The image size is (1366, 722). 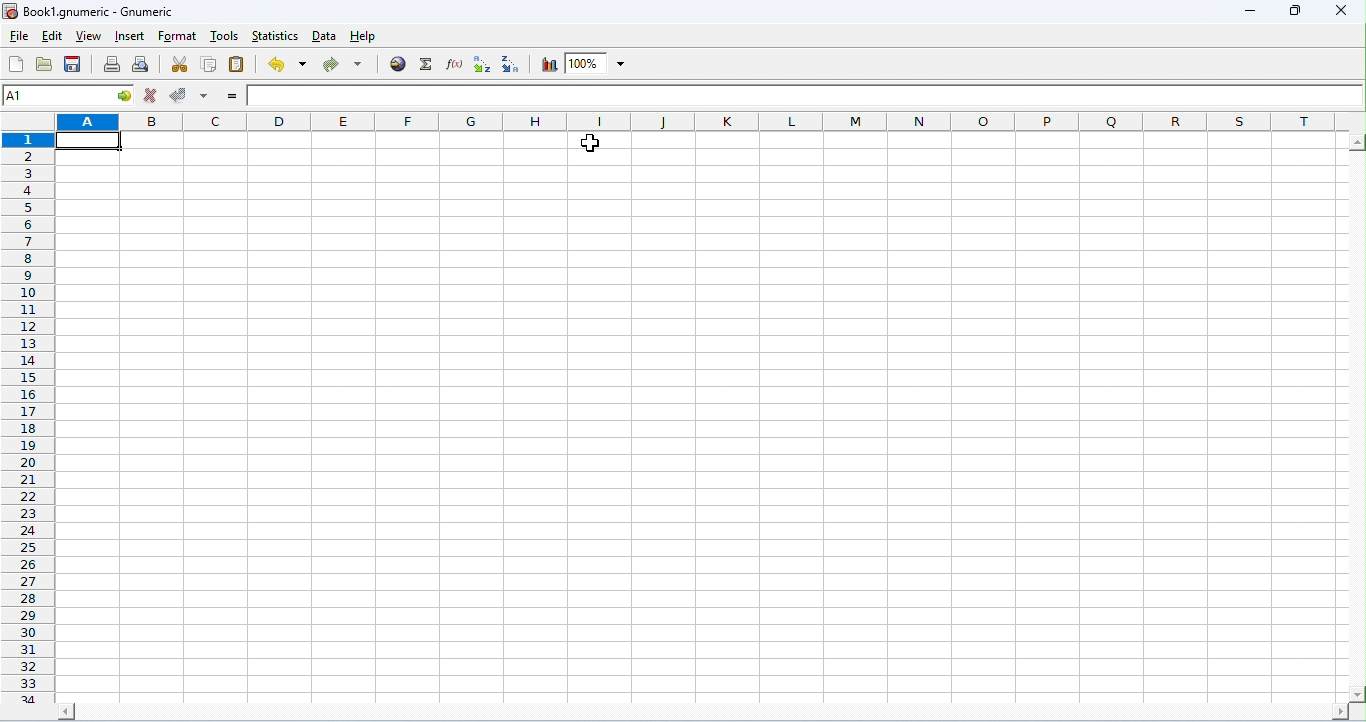 What do you see at coordinates (399, 65) in the screenshot?
I see `insert hyperlink` at bounding box center [399, 65].